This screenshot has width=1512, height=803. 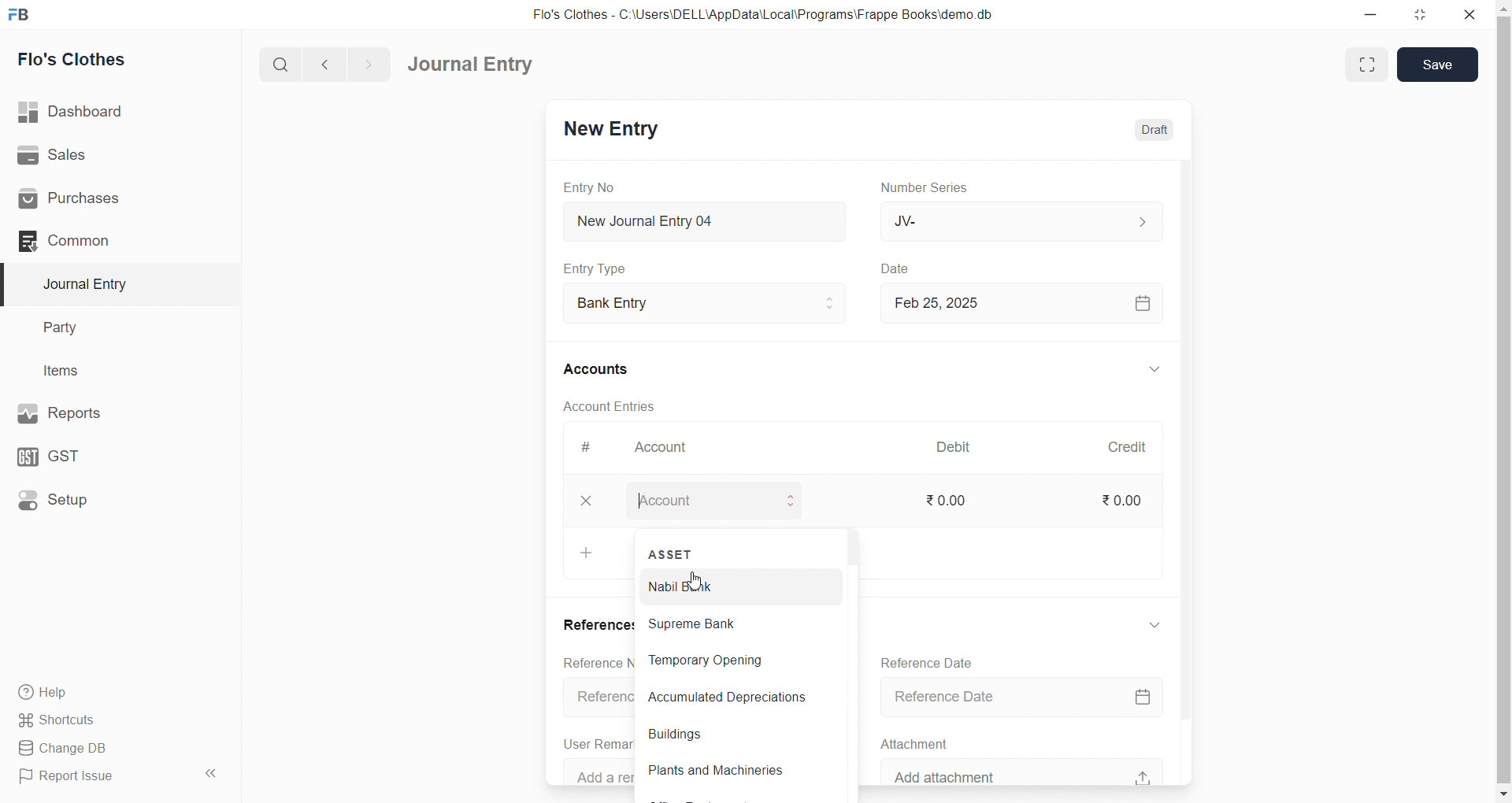 I want to click on Entry Type, so click(x=603, y=268).